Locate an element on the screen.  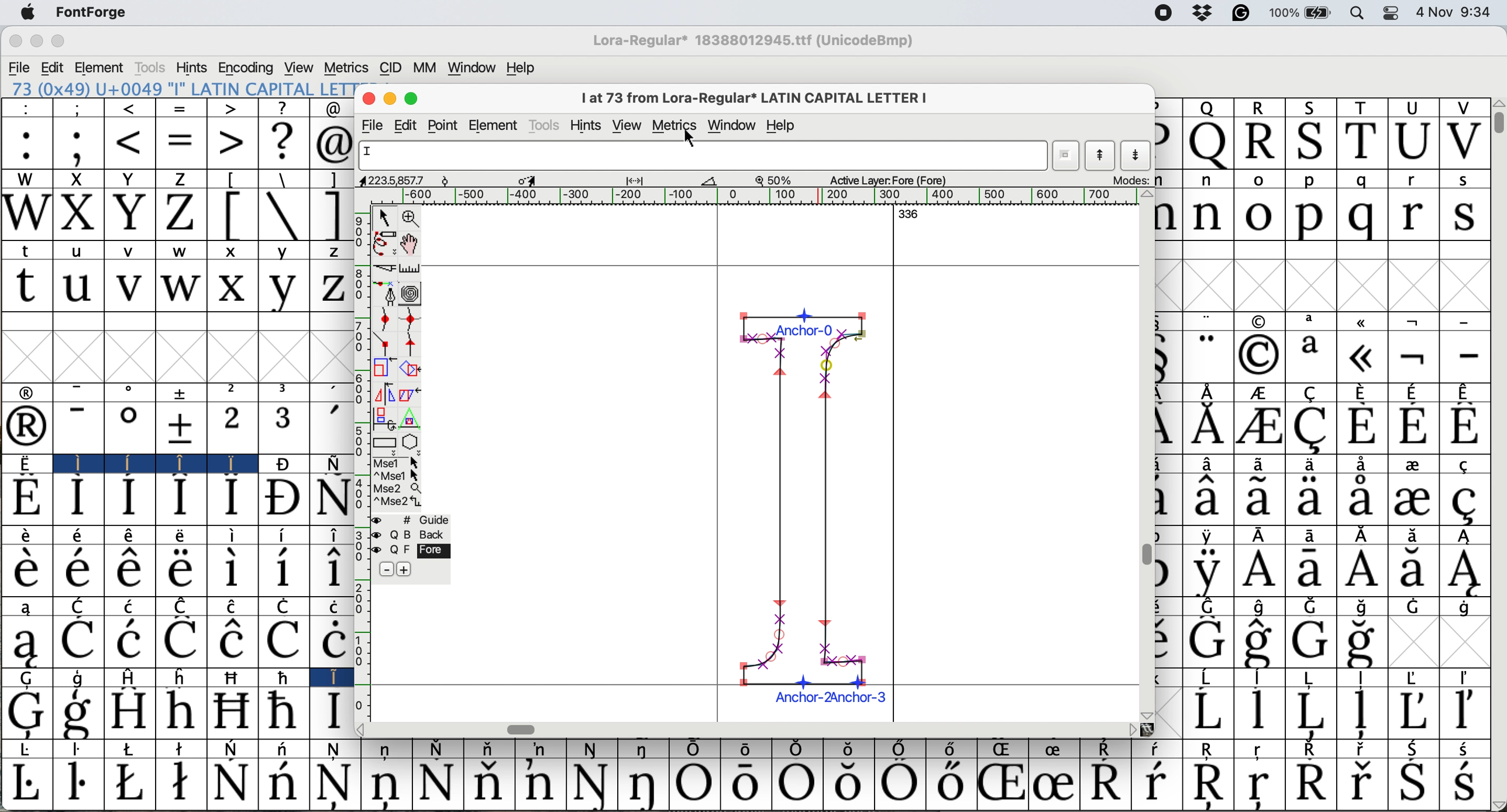
n is located at coordinates (1210, 181).